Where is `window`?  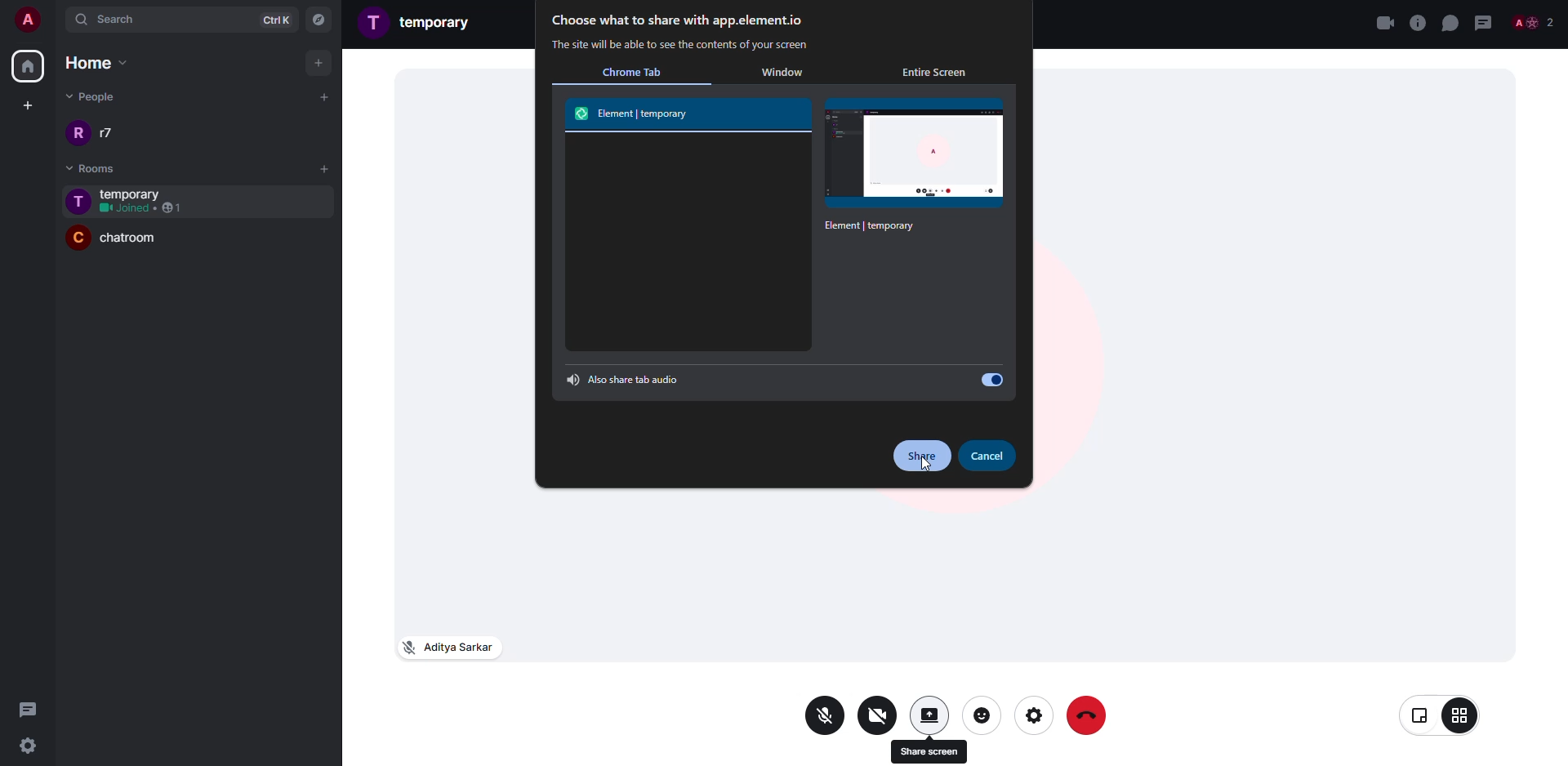
window is located at coordinates (782, 73).